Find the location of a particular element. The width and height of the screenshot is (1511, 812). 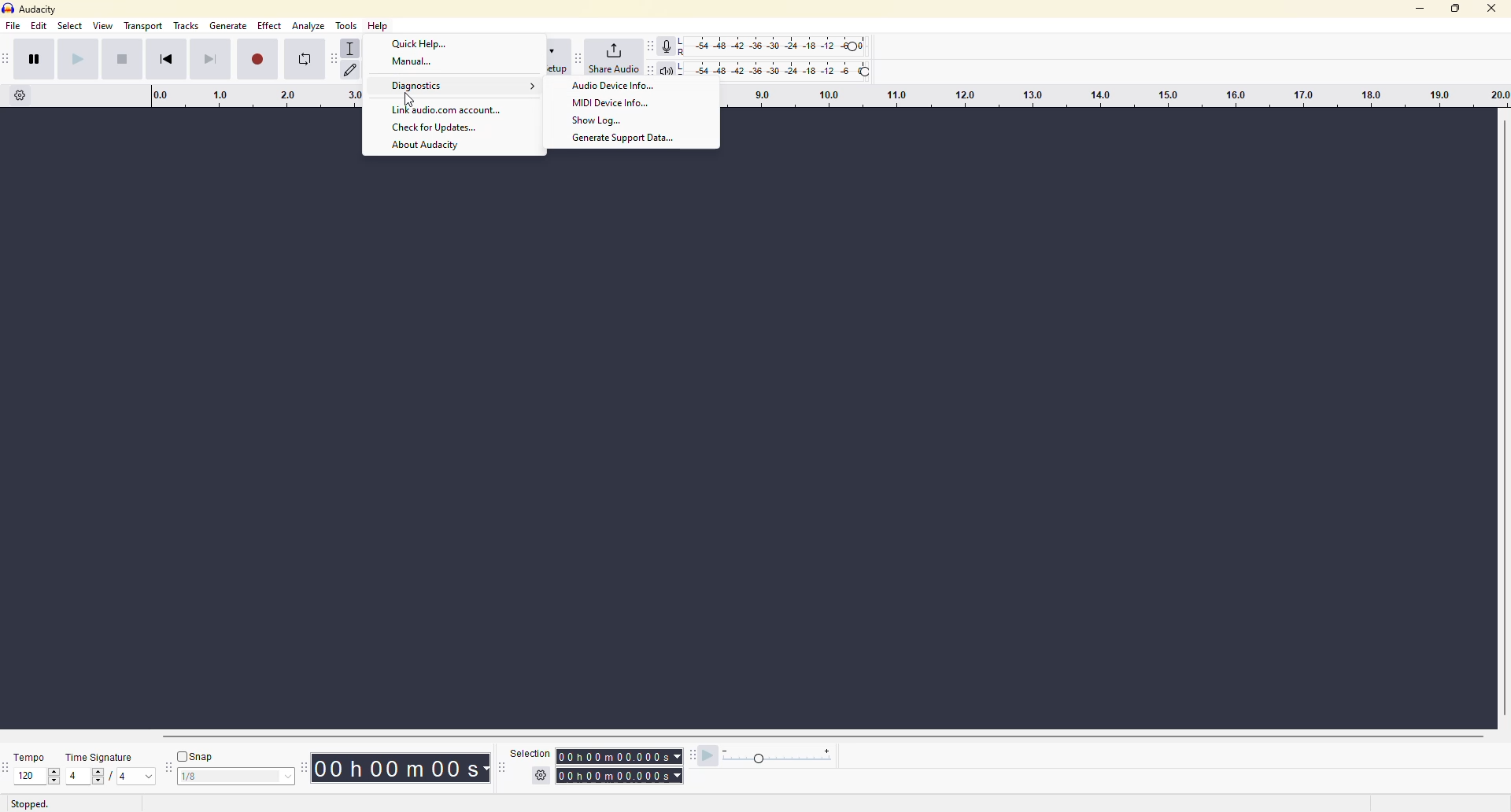

Diagnostics  is located at coordinates (463, 87).